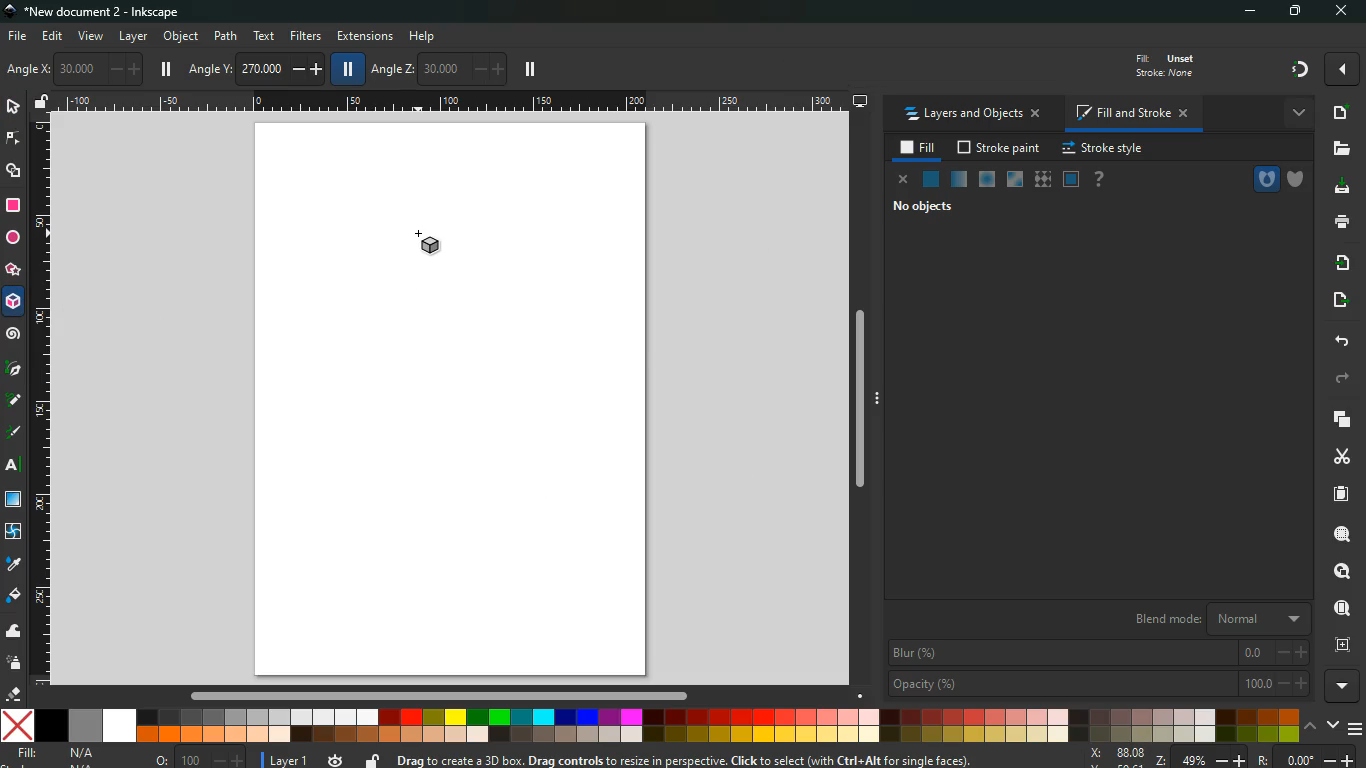 This screenshot has width=1366, height=768. I want to click on down, so click(1334, 726).